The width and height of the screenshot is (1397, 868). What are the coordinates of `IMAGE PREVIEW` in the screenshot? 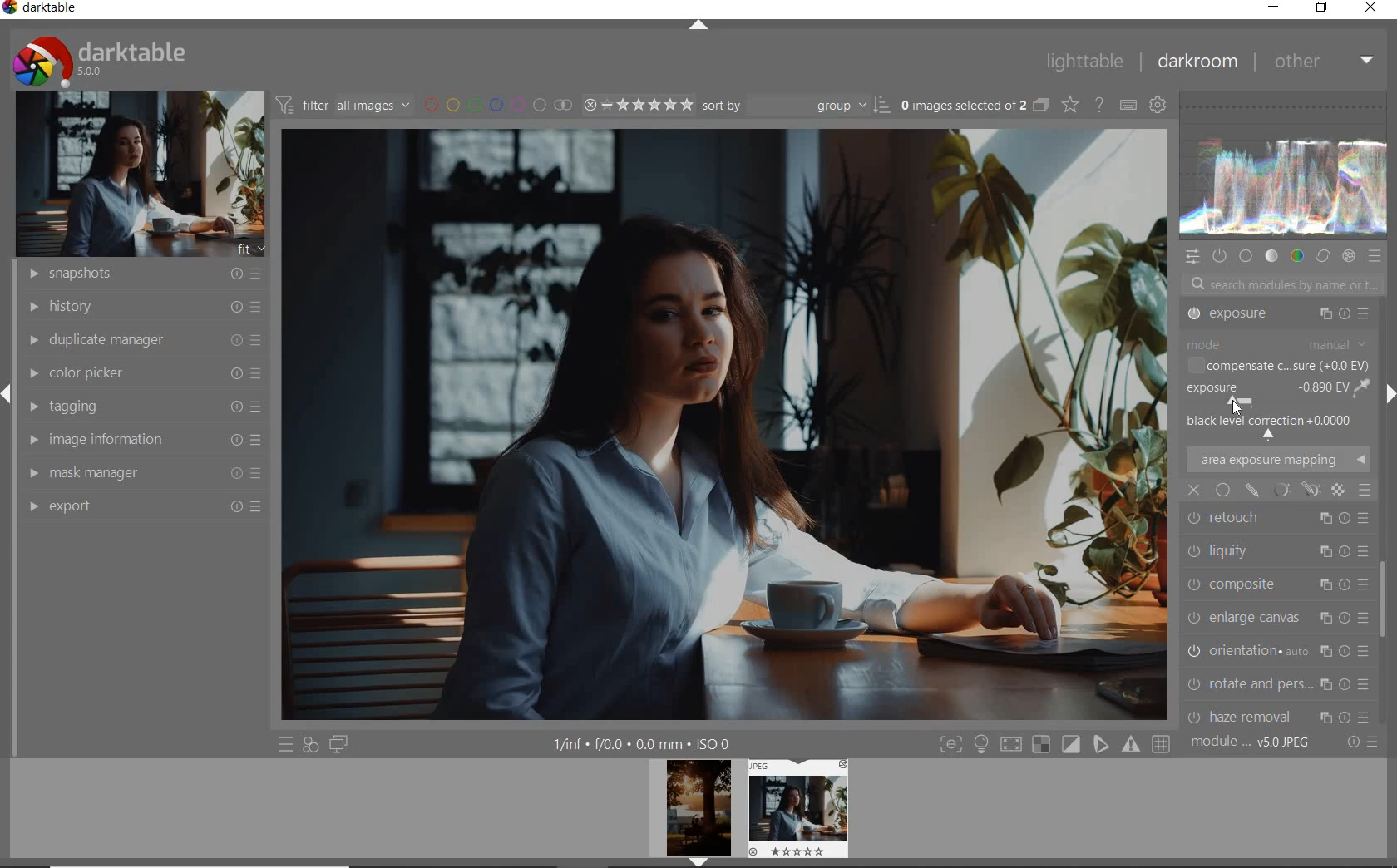 It's located at (698, 814).